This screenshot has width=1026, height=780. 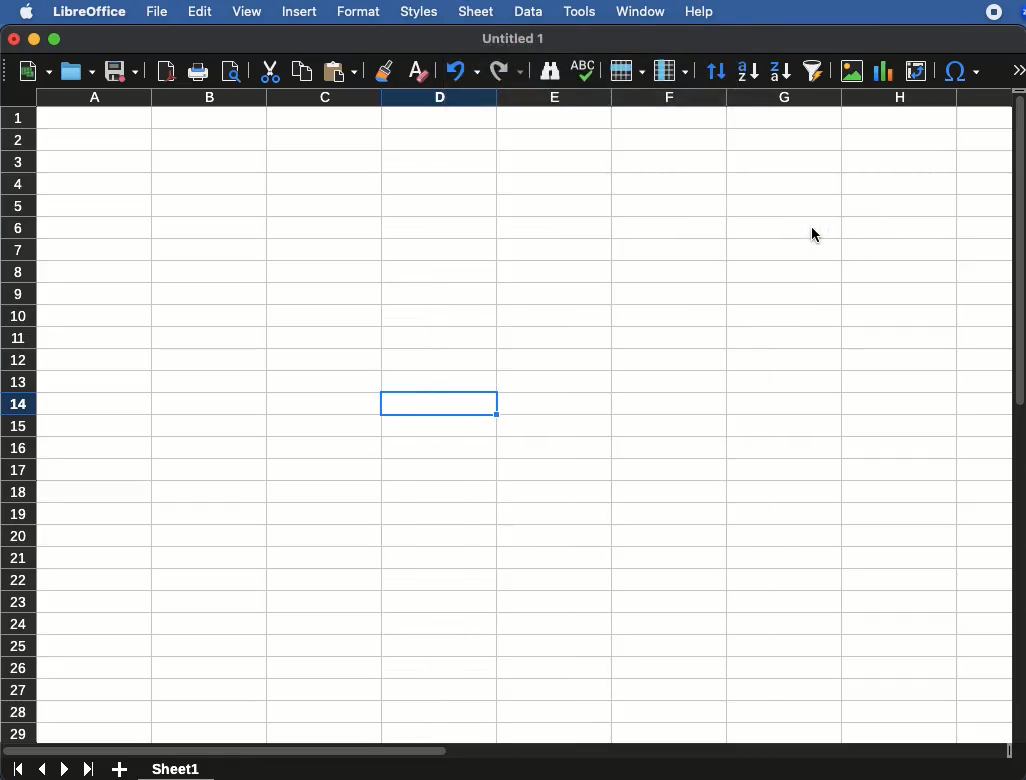 What do you see at coordinates (244, 14) in the screenshot?
I see `view` at bounding box center [244, 14].